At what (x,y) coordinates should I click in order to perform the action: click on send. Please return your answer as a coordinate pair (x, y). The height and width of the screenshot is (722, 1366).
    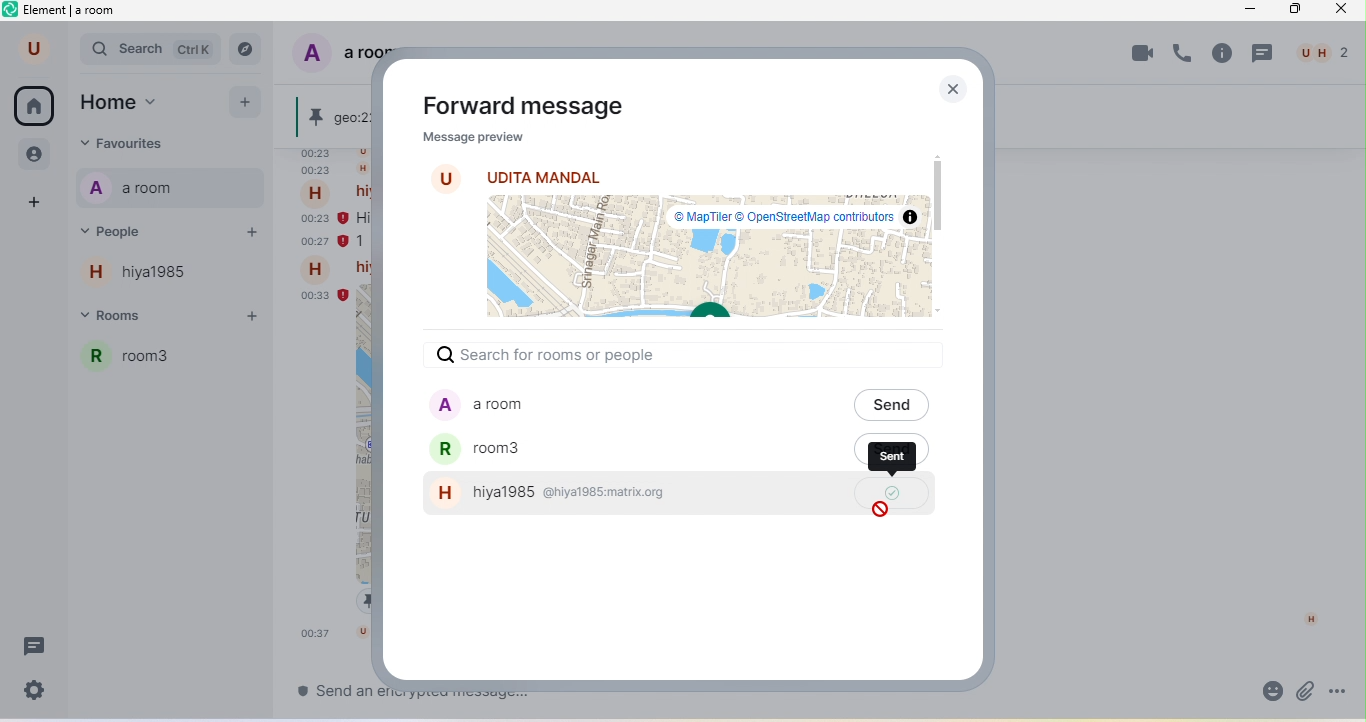
    Looking at the image, I should click on (894, 404).